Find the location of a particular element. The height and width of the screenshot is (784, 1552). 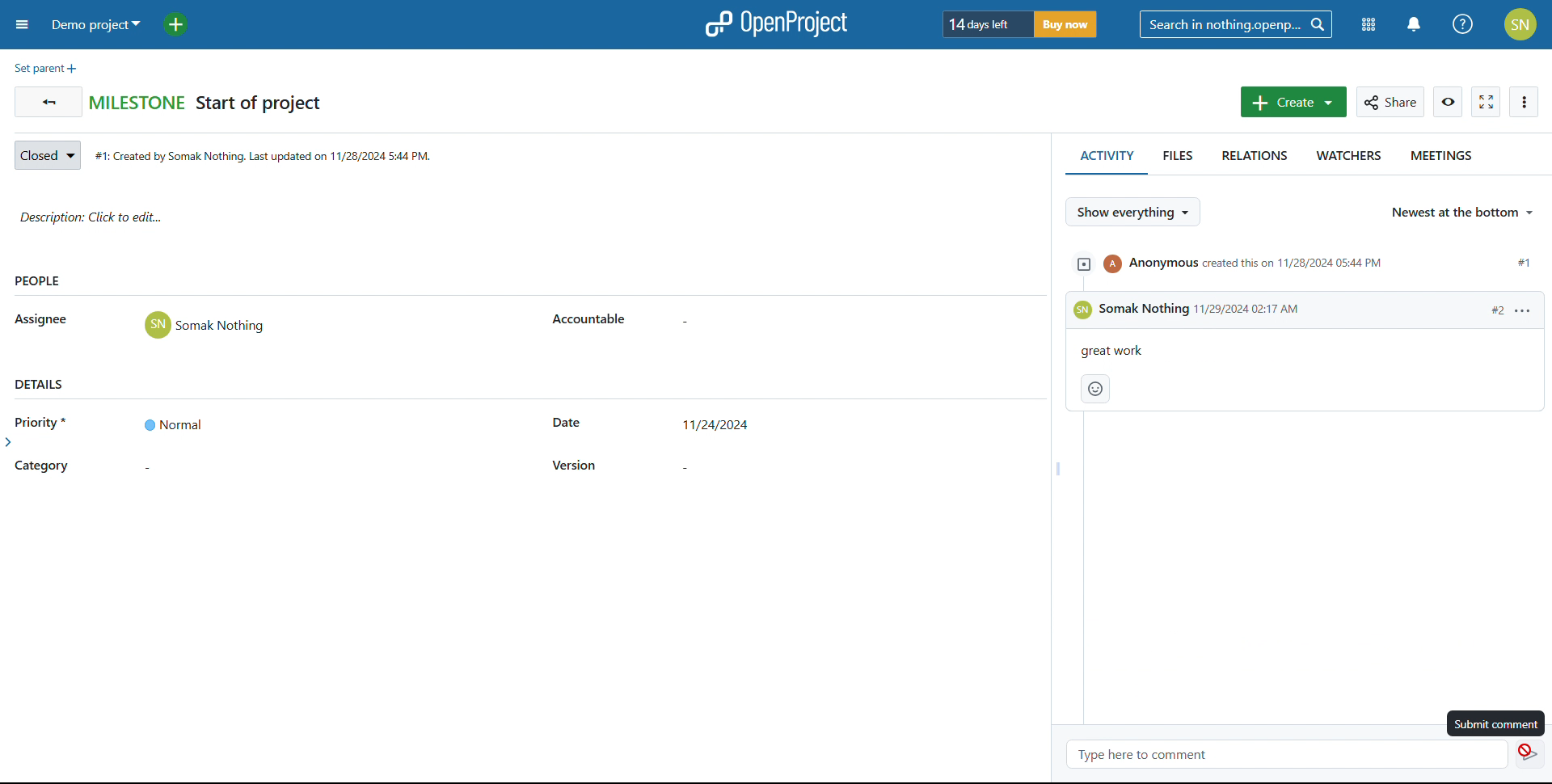

set priority is located at coordinates (171, 424).